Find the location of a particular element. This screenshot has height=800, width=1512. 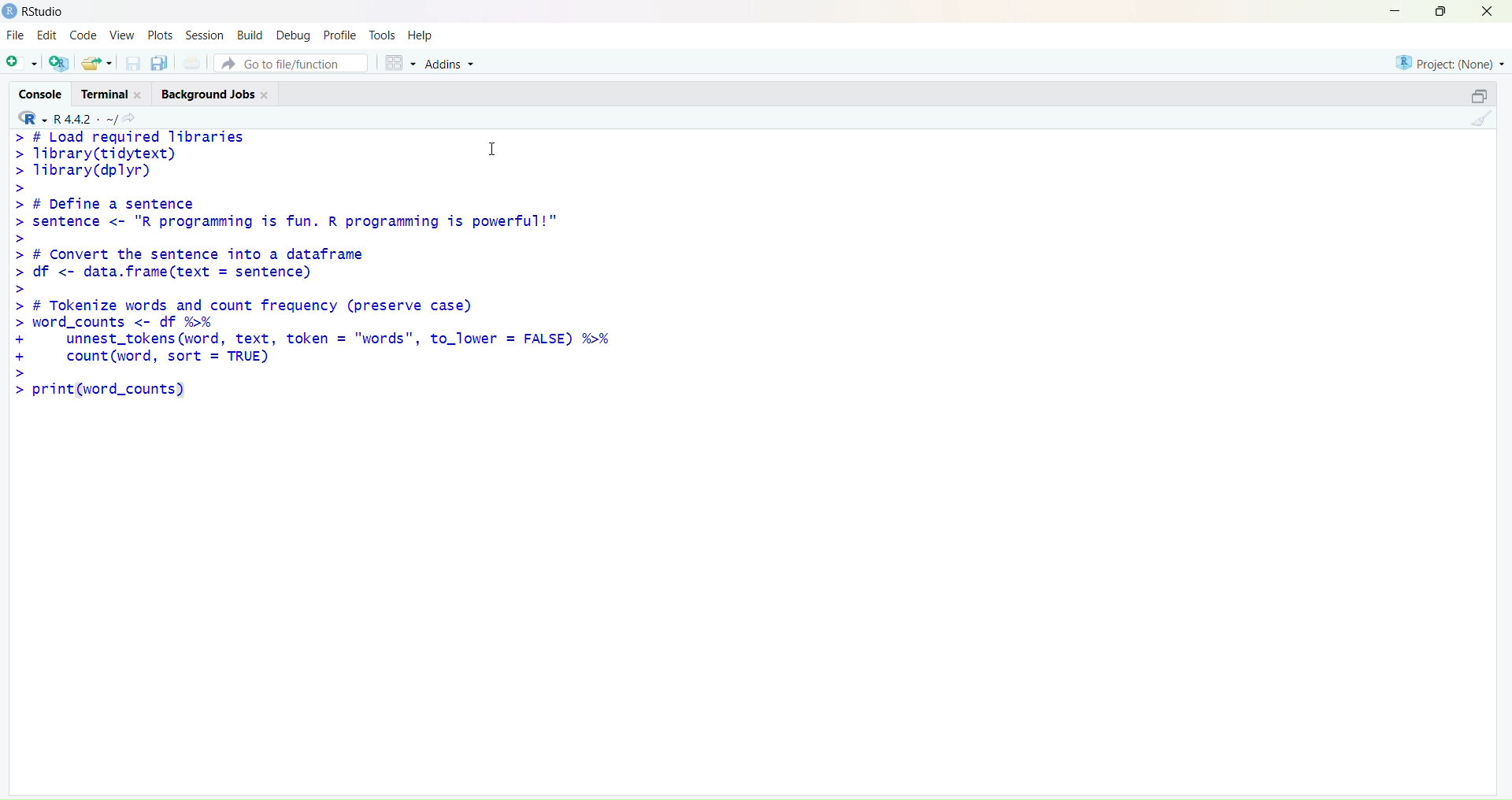

maximize is located at coordinates (1440, 13).